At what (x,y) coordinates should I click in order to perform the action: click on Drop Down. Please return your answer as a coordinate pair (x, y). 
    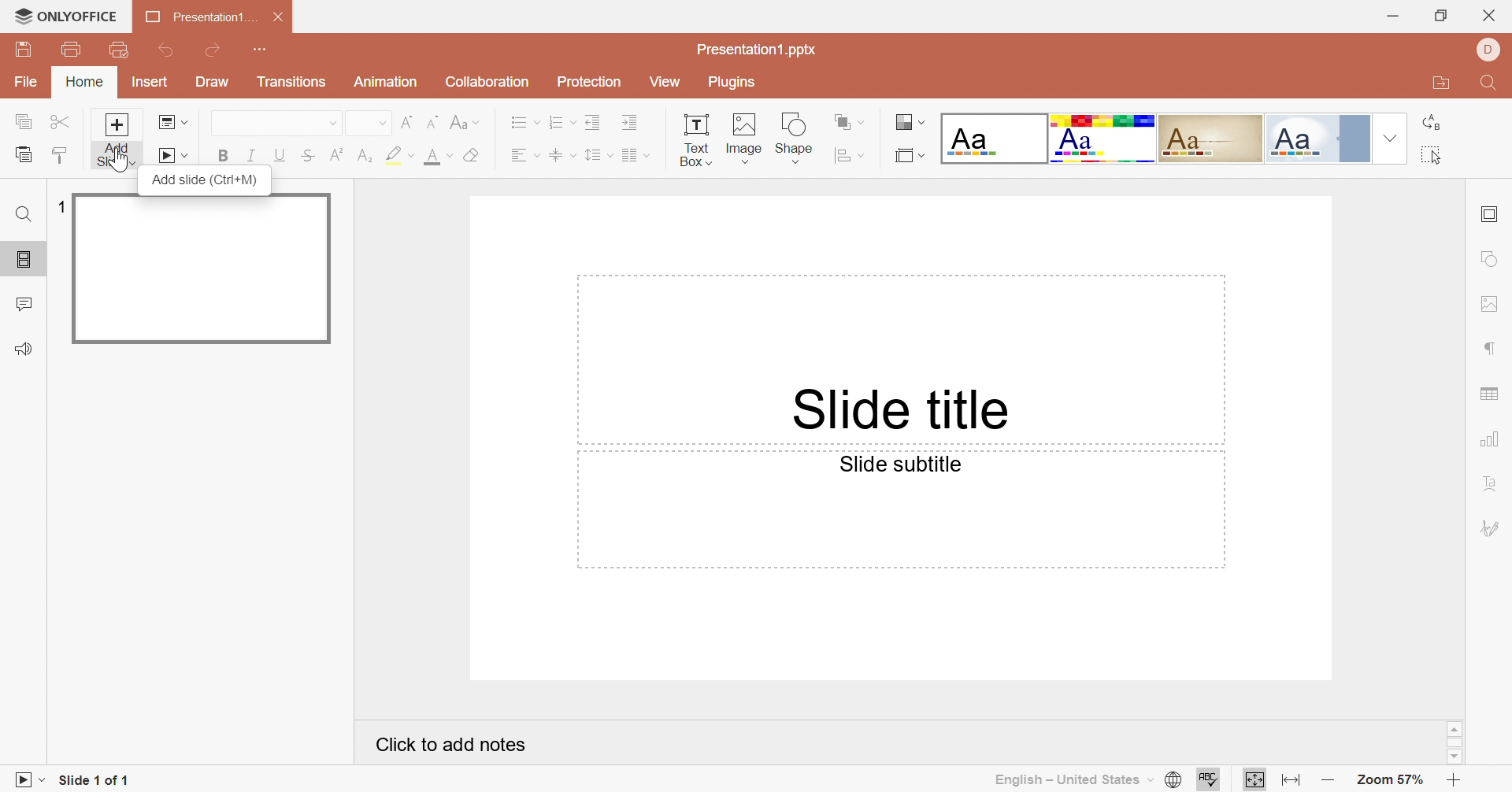
    Looking at the image, I should click on (334, 123).